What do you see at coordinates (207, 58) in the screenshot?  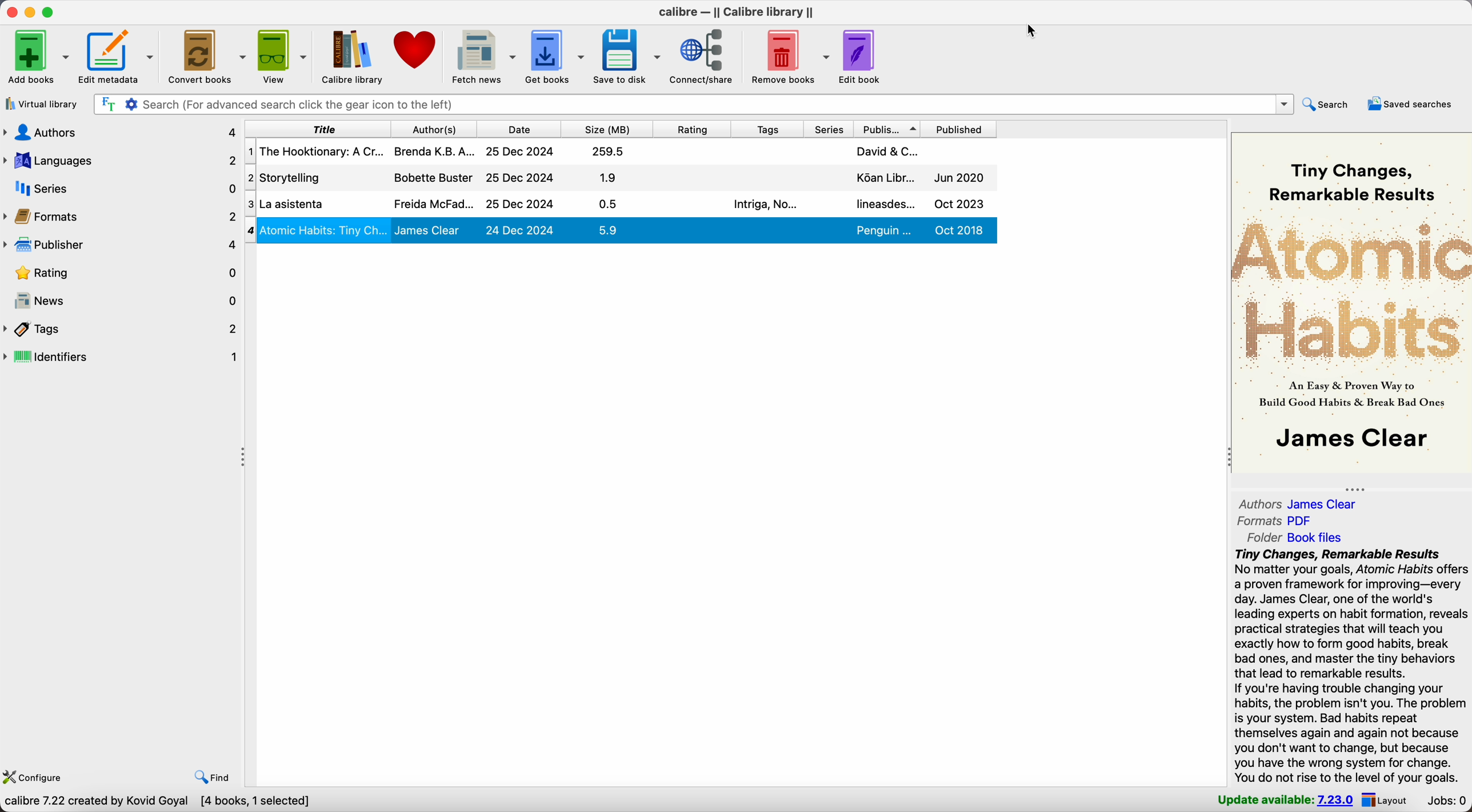 I see `convert books` at bounding box center [207, 58].